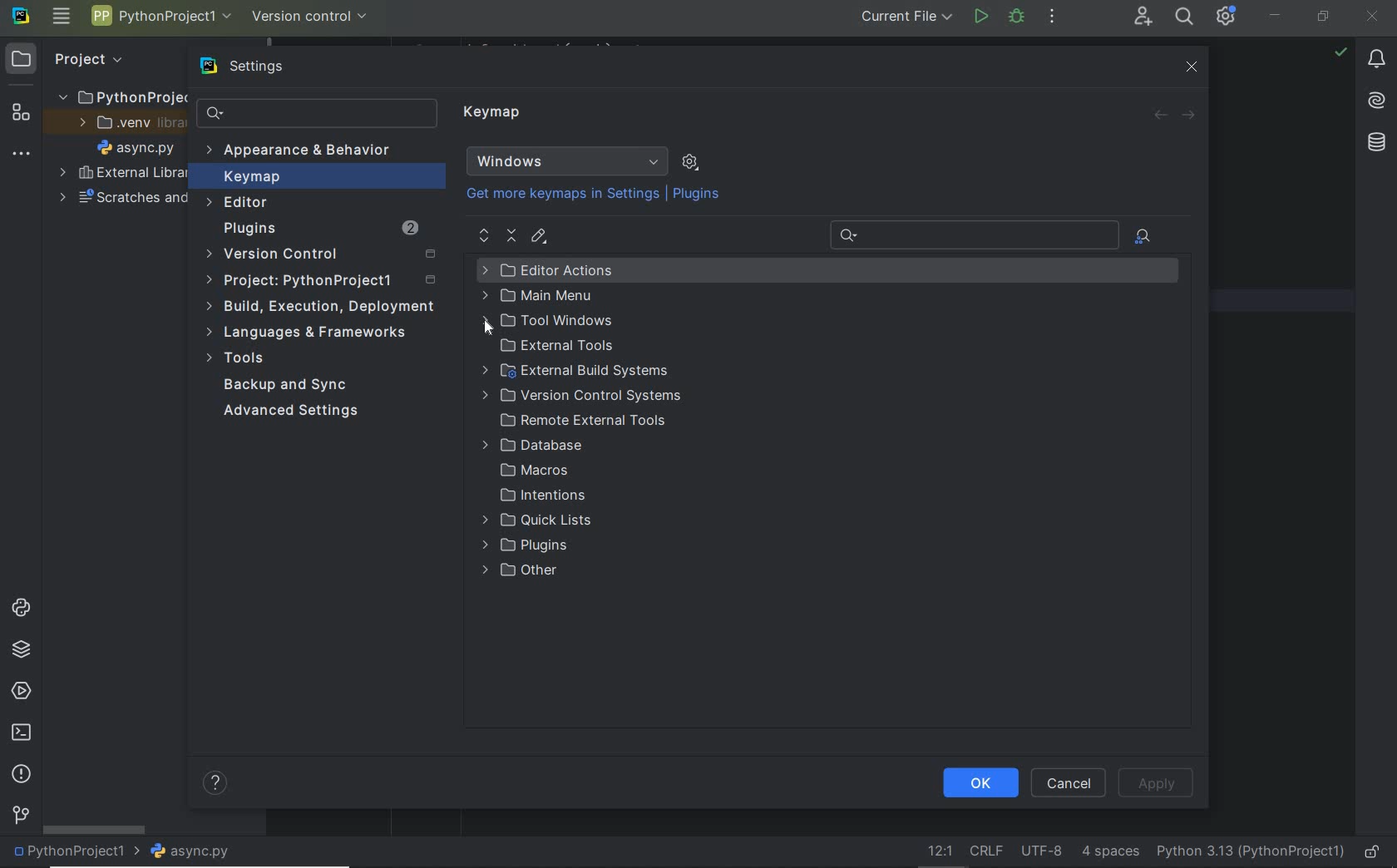 Image resolution: width=1397 pixels, height=868 pixels. What do you see at coordinates (588, 421) in the screenshot?
I see `Remote External Tools` at bounding box center [588, 421].